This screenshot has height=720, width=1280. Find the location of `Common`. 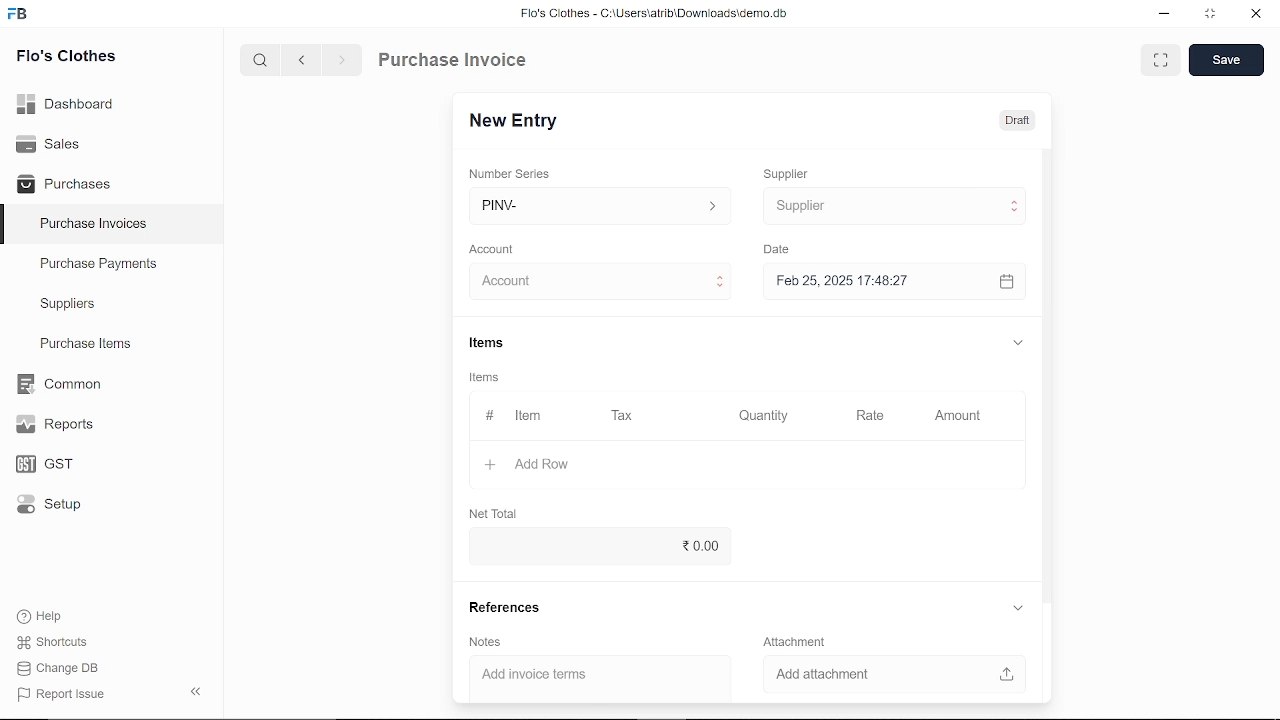

Common is located at coordinates (61, 384).